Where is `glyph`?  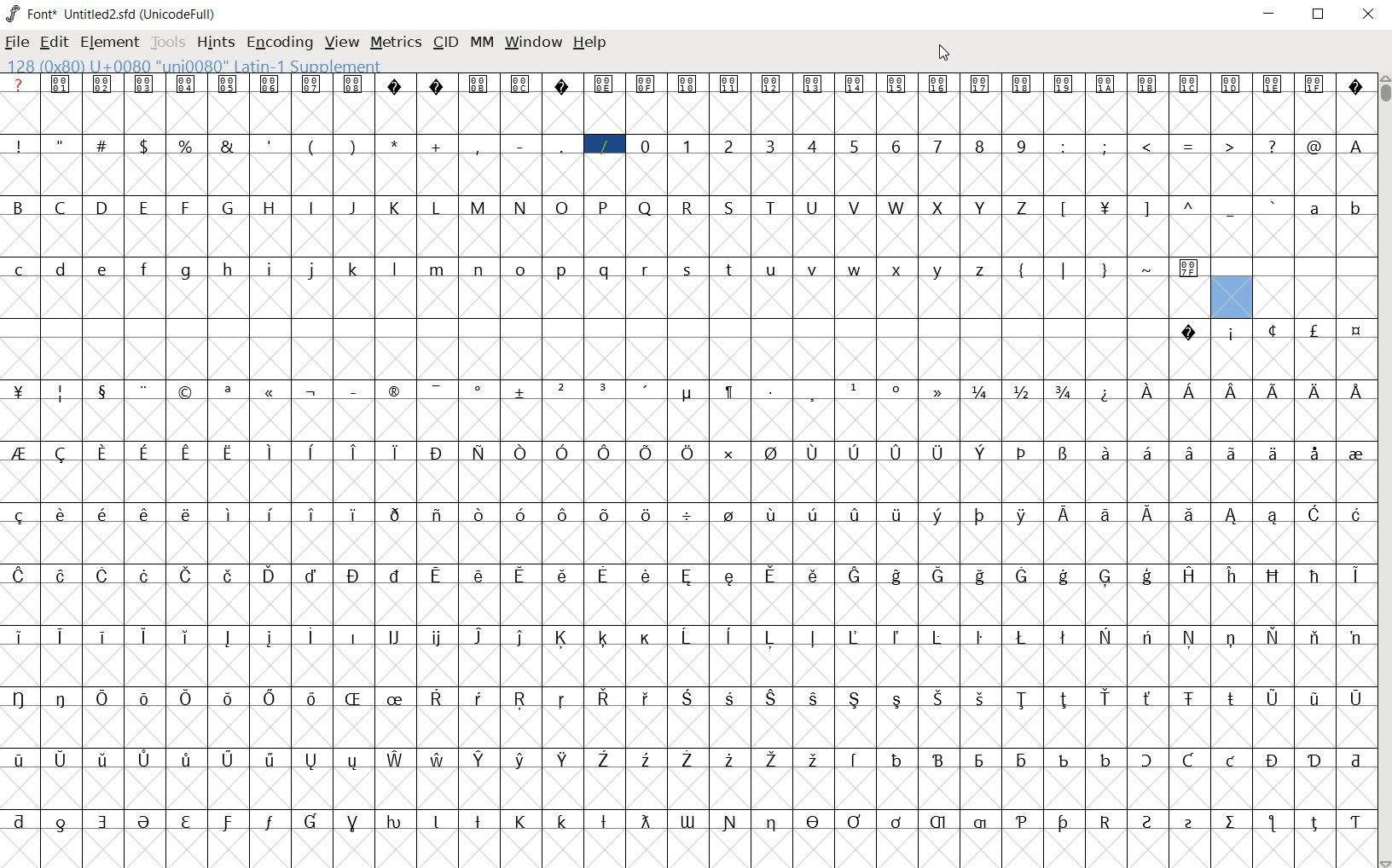
glyph is located at coordinates (394, 576).